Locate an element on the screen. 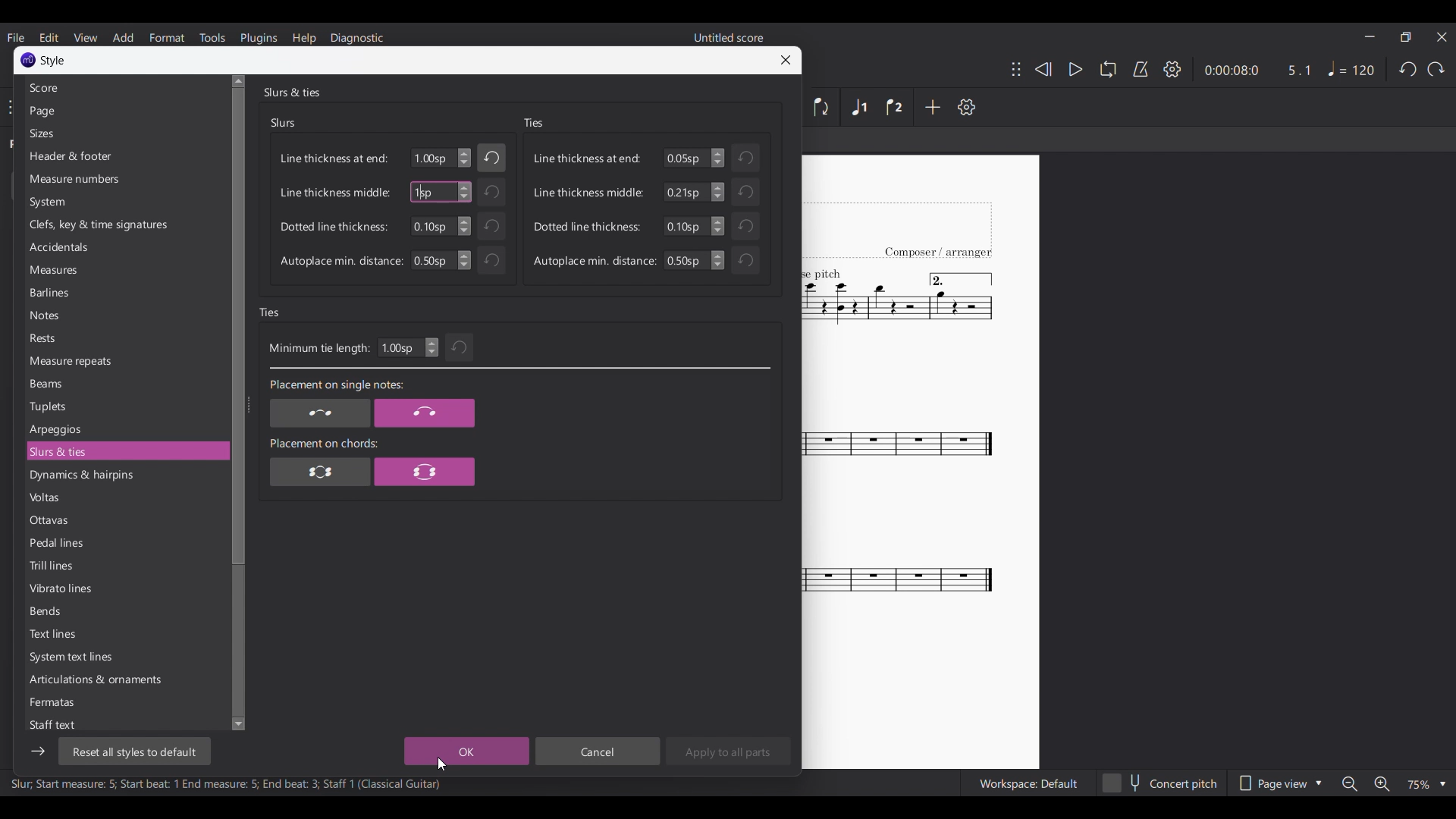  Increase/Decrease dotted line thickness is located at coordinates (464, 226).